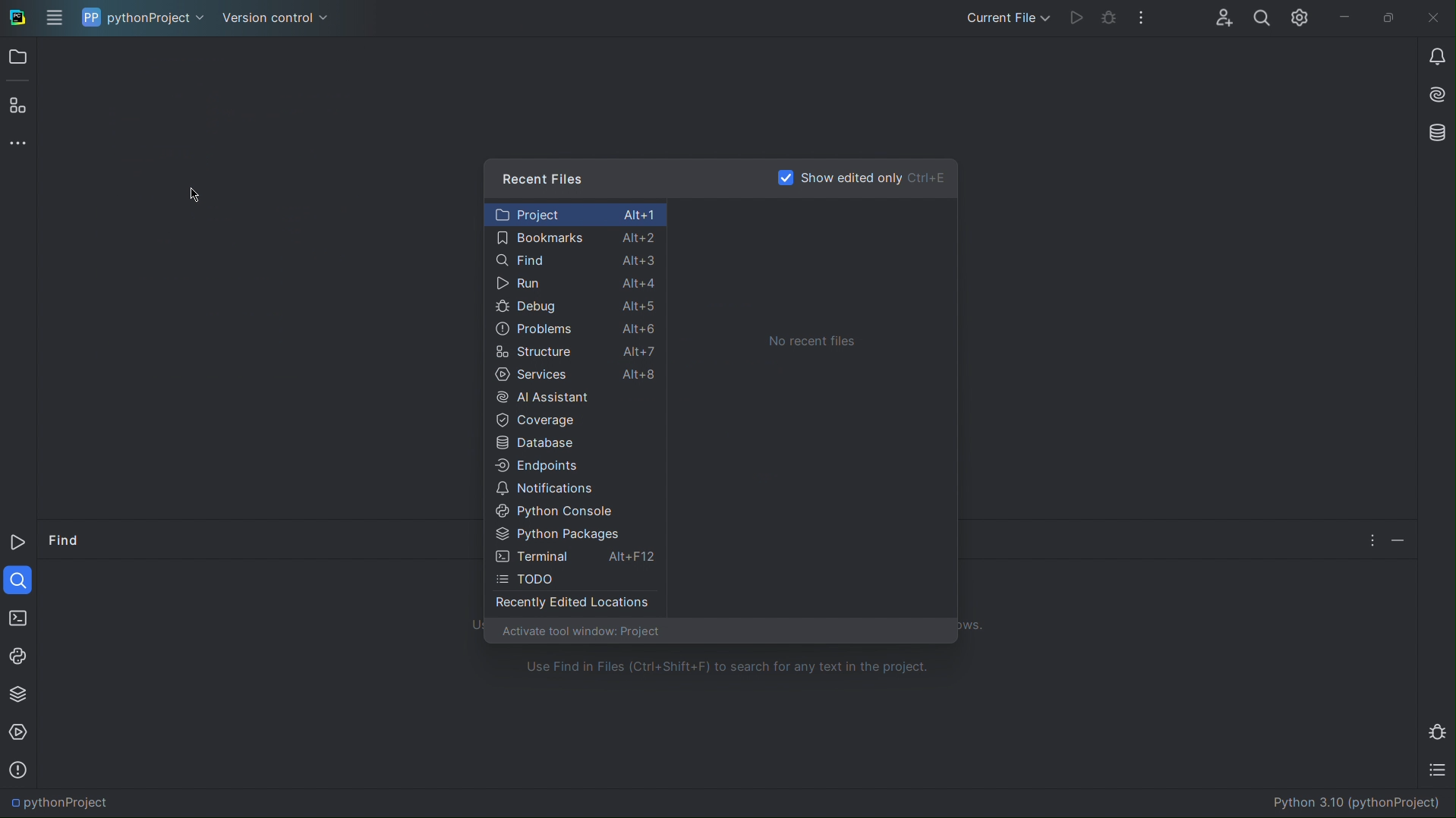 This screenshot has height=818, width=1456. What do you see at coordinates (1010, 14) in the screenshot?
I see `Current File` at bounding box center [1010, 14].